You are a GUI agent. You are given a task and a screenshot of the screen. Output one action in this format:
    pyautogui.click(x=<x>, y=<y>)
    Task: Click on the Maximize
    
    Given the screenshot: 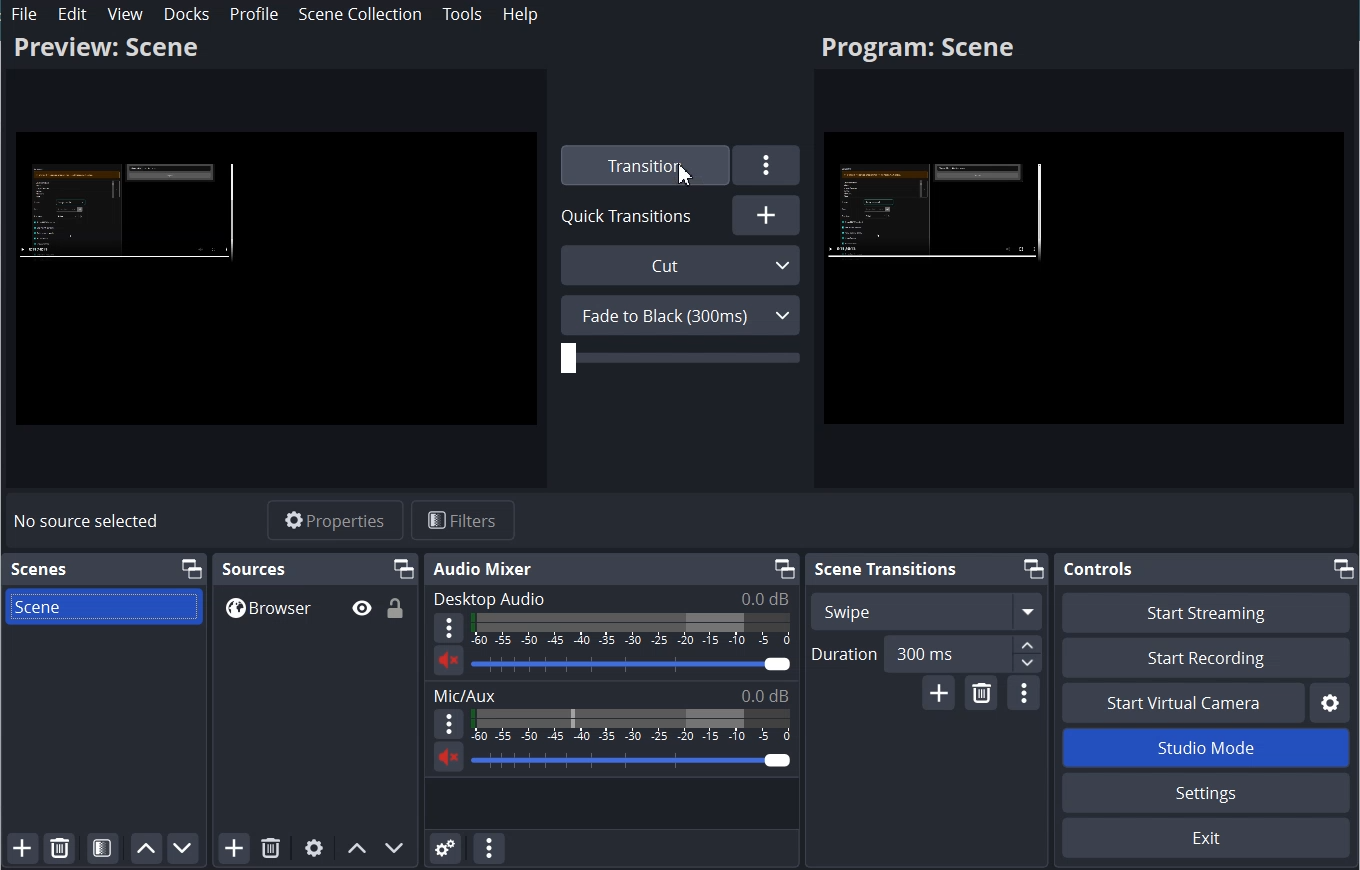 What is the action you would take?
    pyautogui.click(x=782, y=568)
    